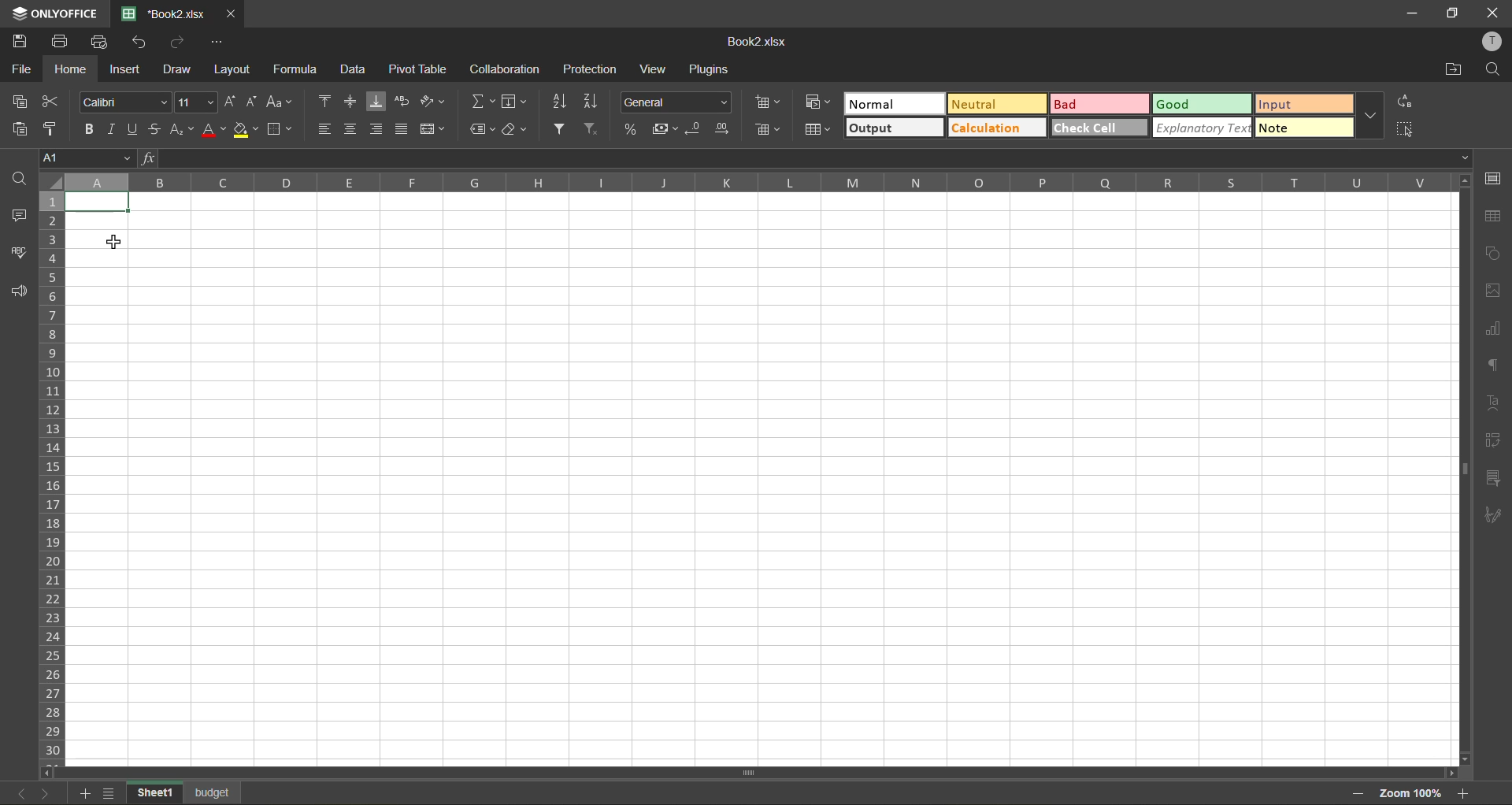  Describe the element at coordinates (633, 129) in the screenshot. I see `percent` at that location.